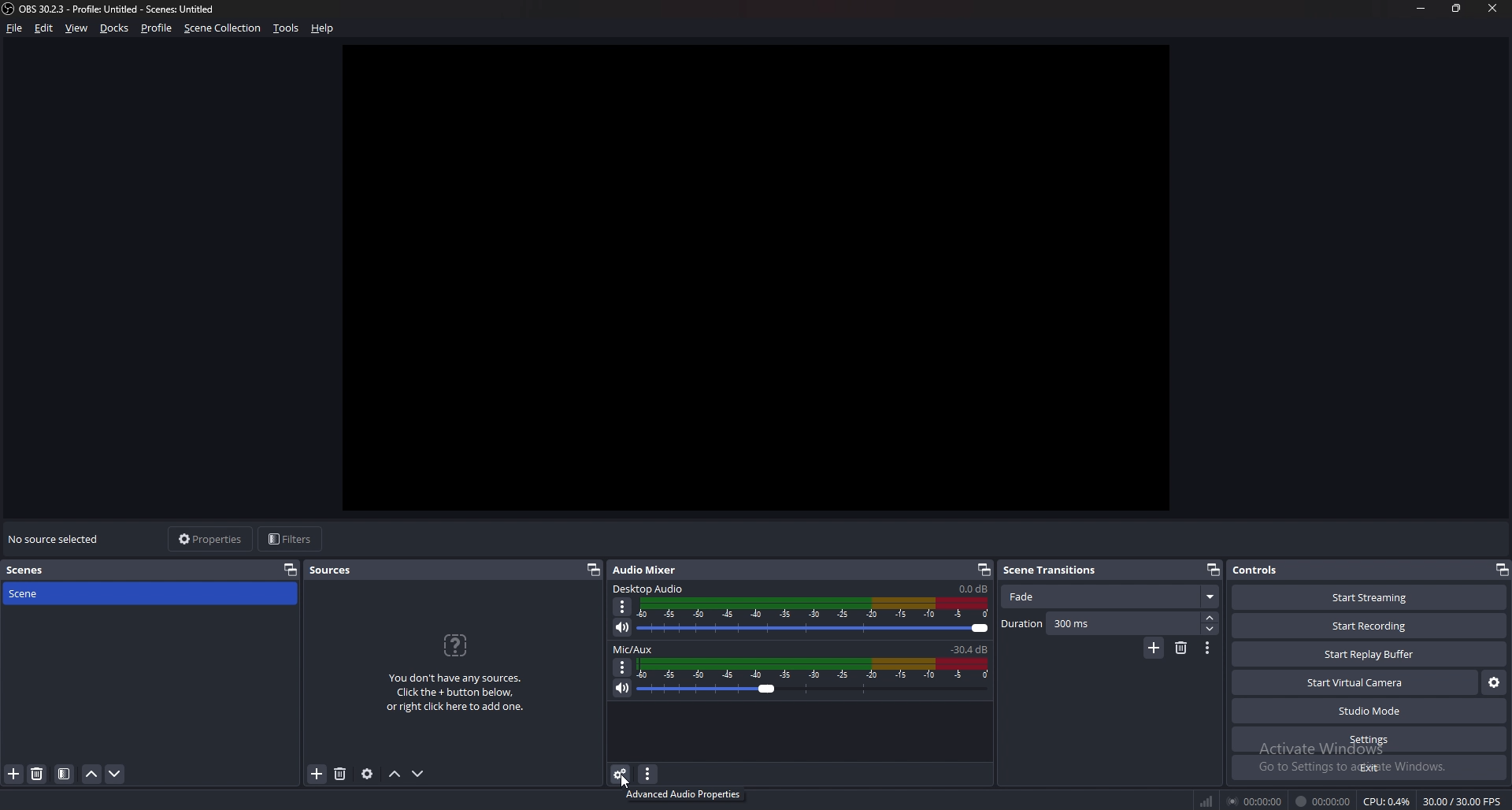  Describe the element at coordinates (1255, 801) in the screenshot. I see `00:00:00` at that location.